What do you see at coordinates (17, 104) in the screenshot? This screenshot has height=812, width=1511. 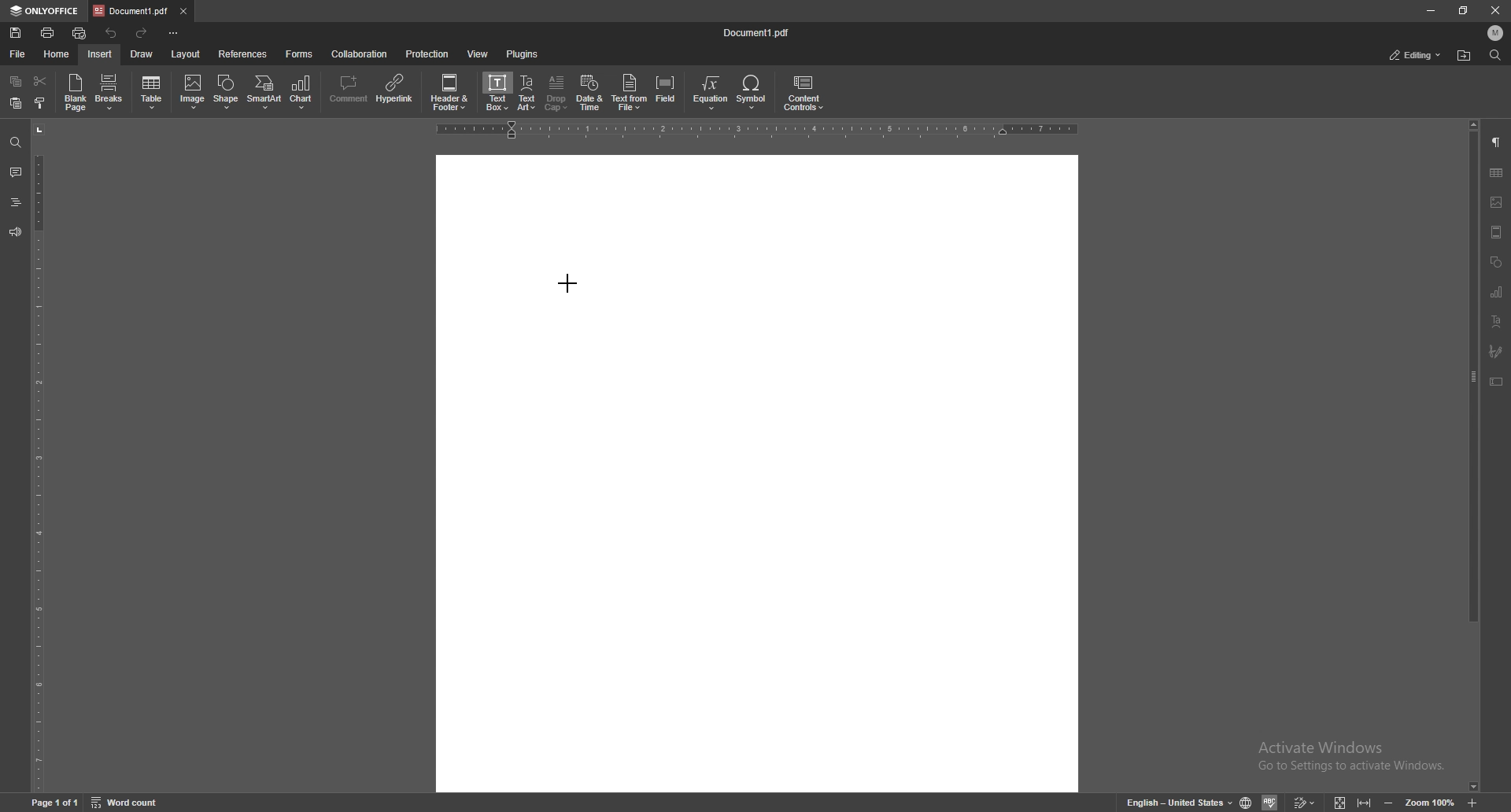 I see `paste` at bounding box center [17, 104].